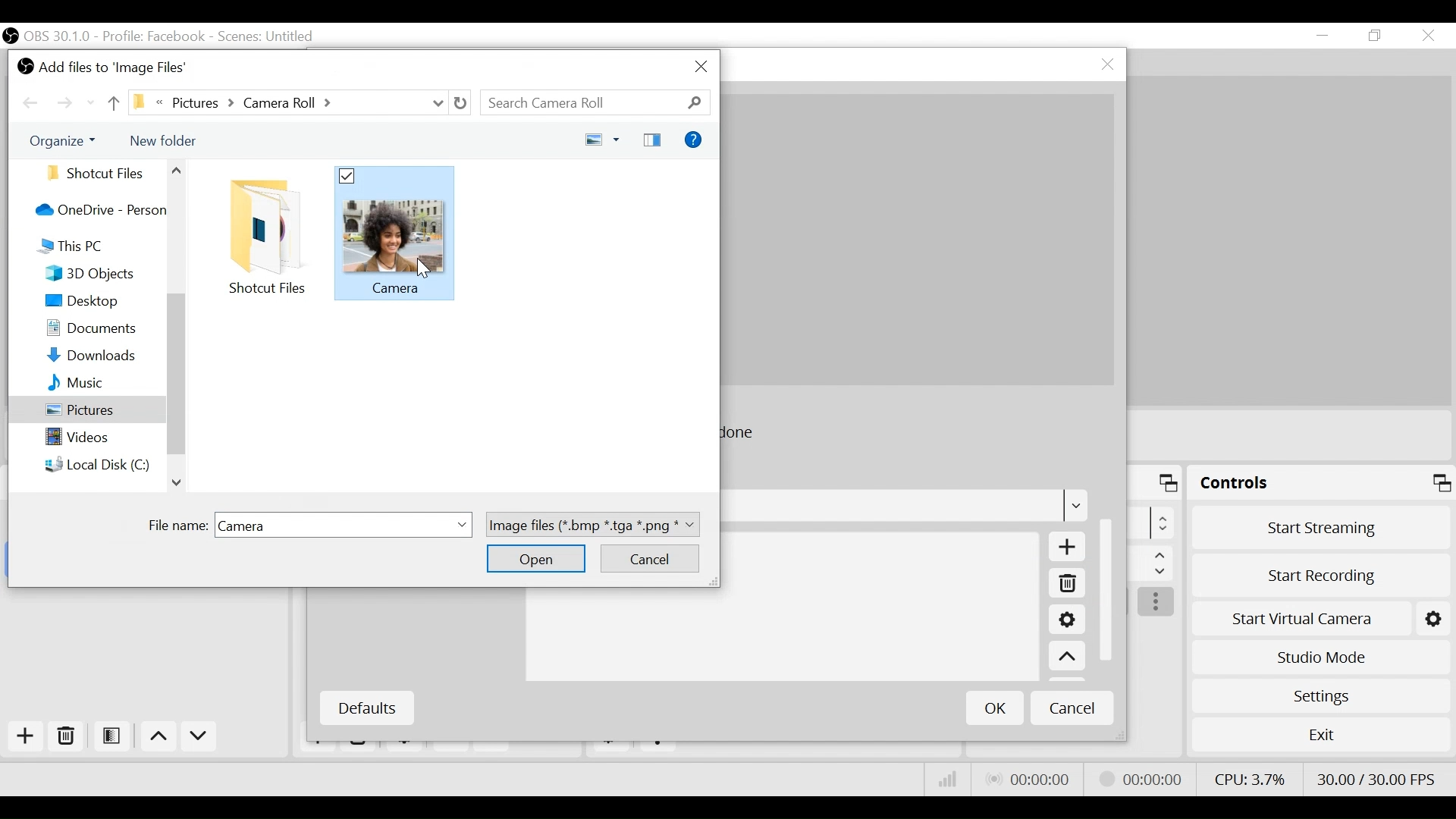  I want to click on Search, so click(595, 104).